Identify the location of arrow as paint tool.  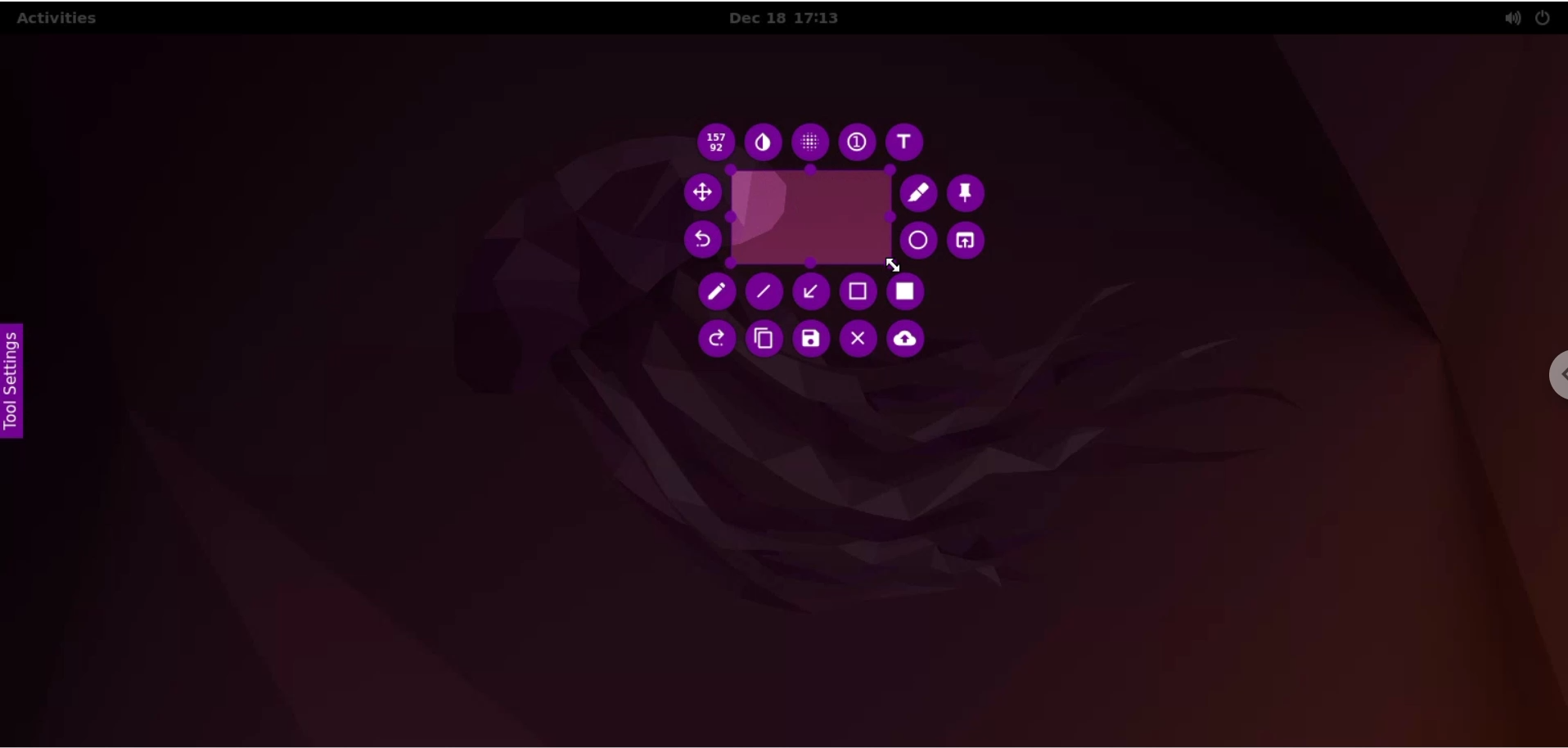
(814, 291).